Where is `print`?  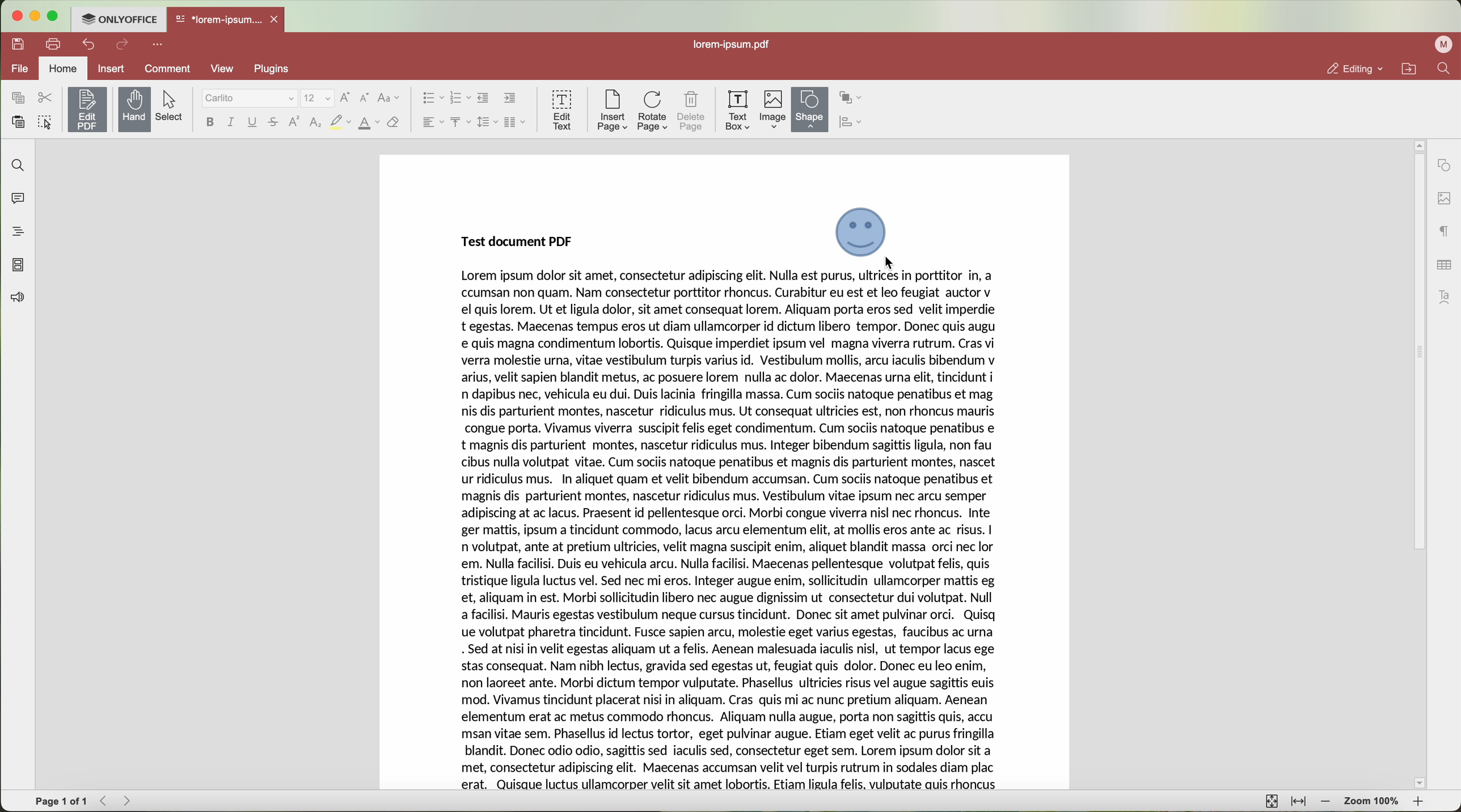
print is located at coordinates (54, 43).